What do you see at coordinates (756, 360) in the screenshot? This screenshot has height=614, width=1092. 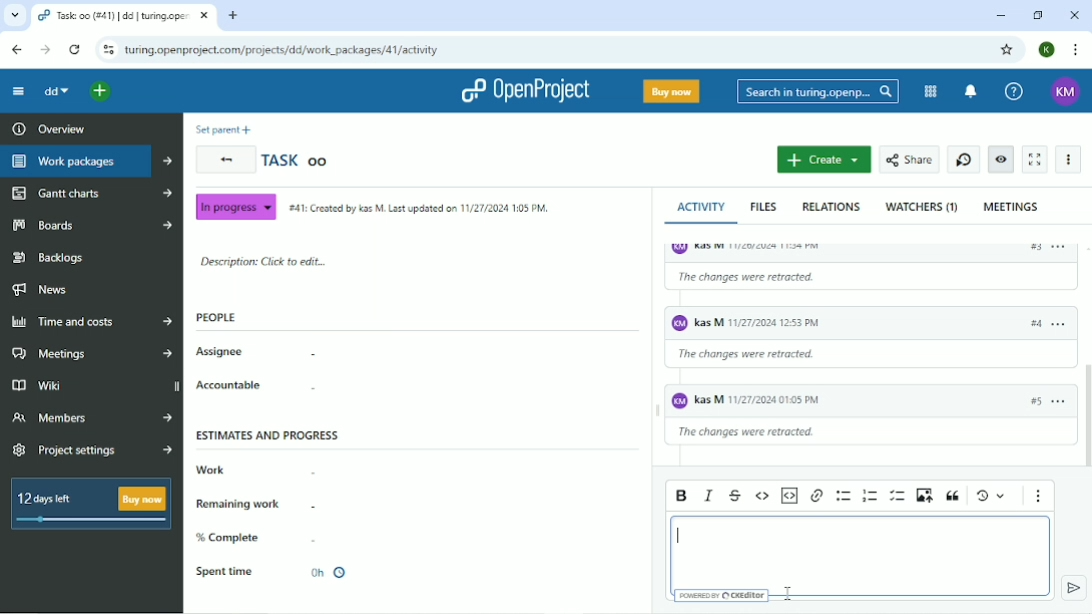 I see `The changes were retracted` at bounding box center [756, 360].